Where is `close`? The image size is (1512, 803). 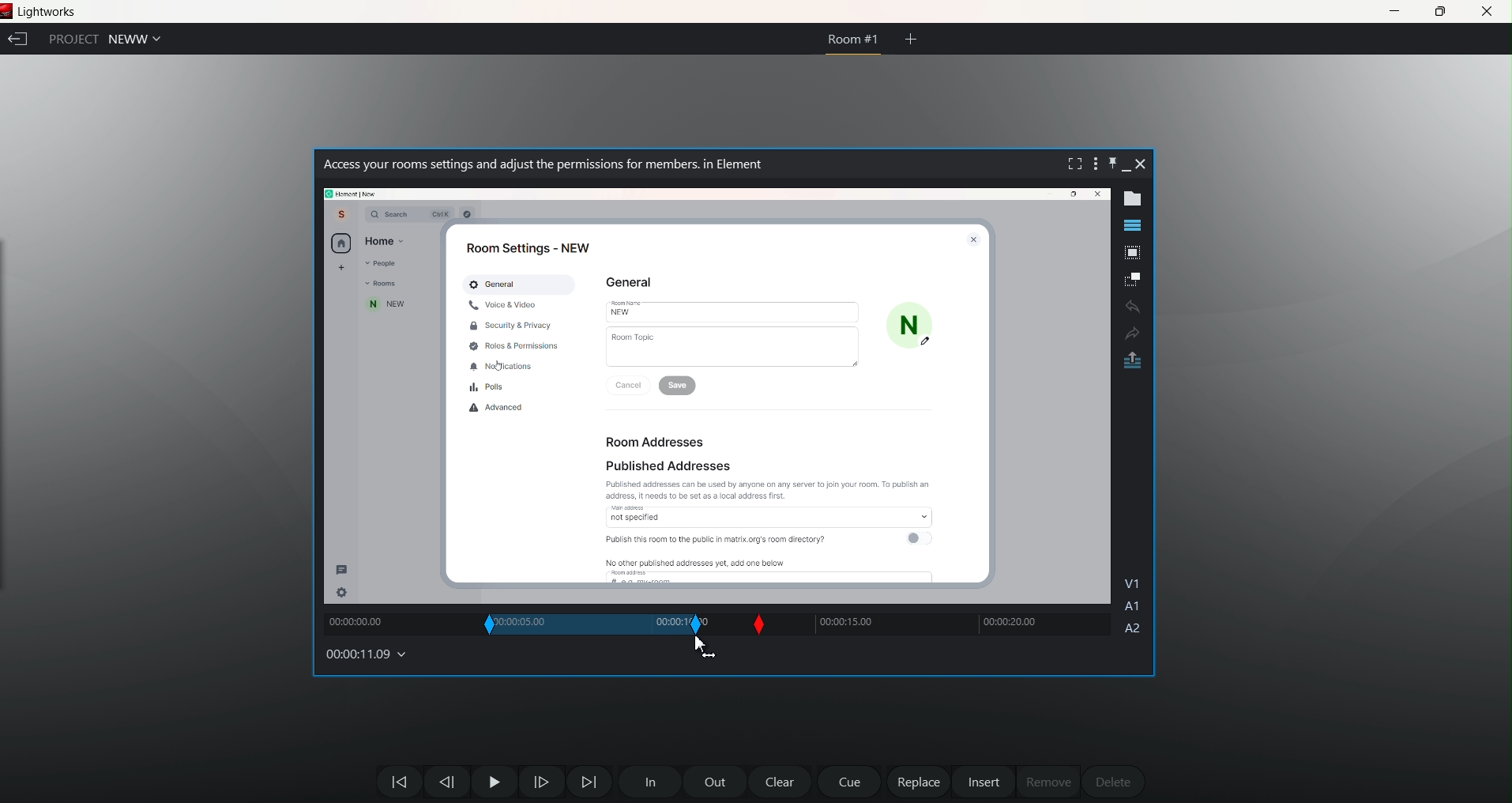
close is located at coordinates (969, 237).